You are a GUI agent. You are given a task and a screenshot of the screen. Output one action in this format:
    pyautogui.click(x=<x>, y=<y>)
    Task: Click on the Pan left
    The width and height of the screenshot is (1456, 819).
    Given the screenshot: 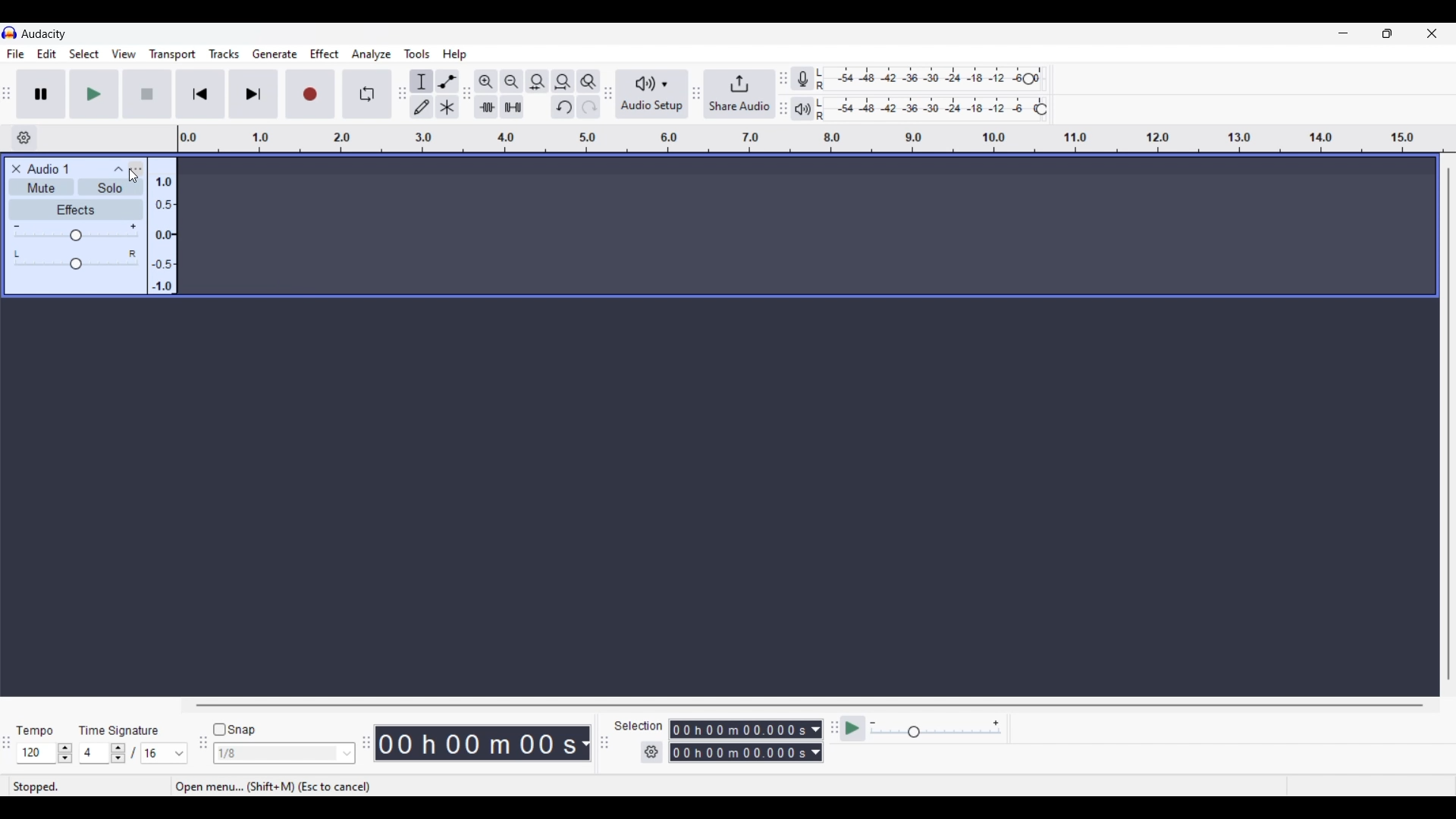 What is the action you would take?
    pyautogui.click(x=18, y=253)
    